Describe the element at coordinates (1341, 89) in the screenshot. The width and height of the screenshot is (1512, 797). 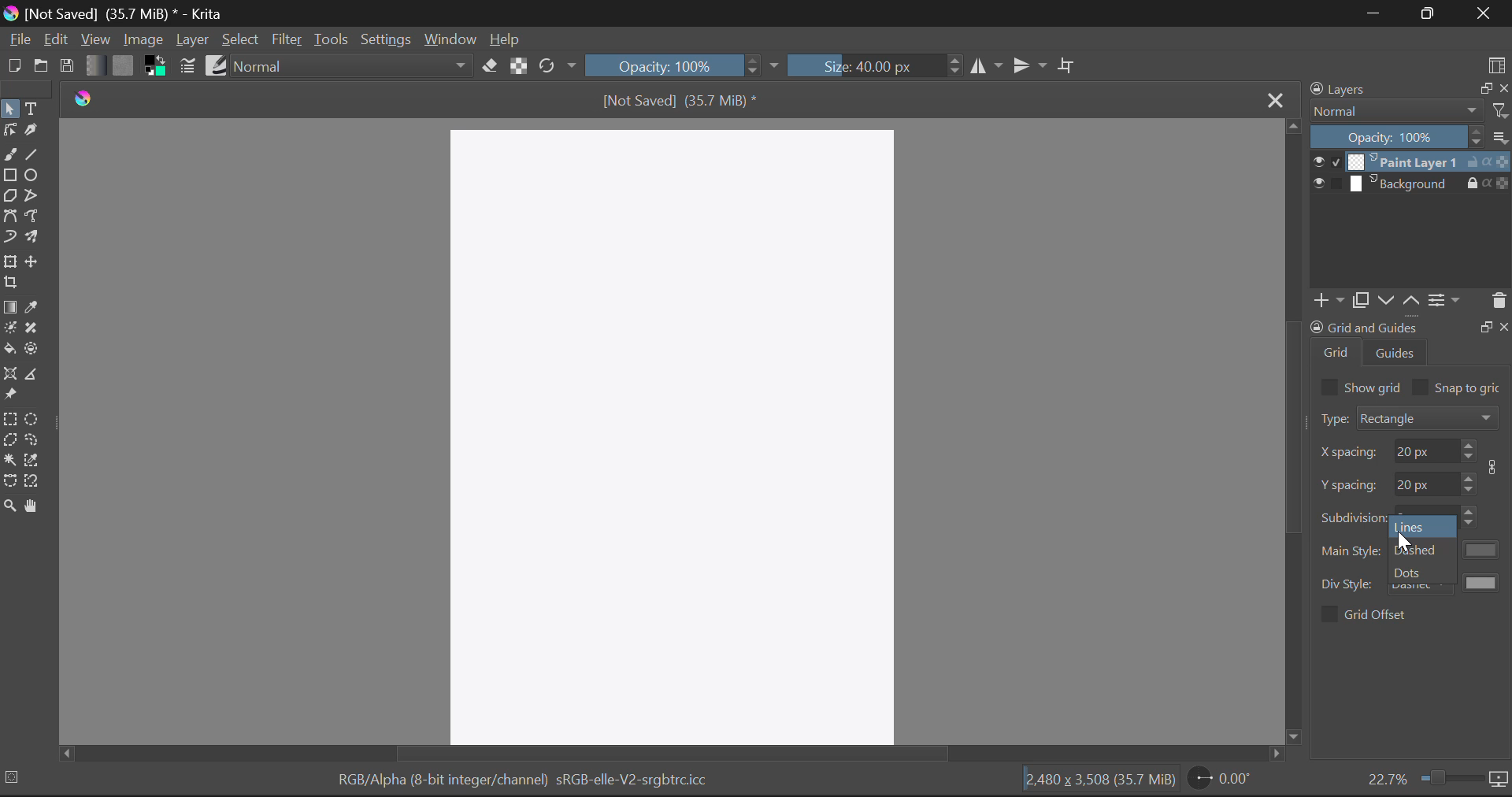
I see `layers` at that location.